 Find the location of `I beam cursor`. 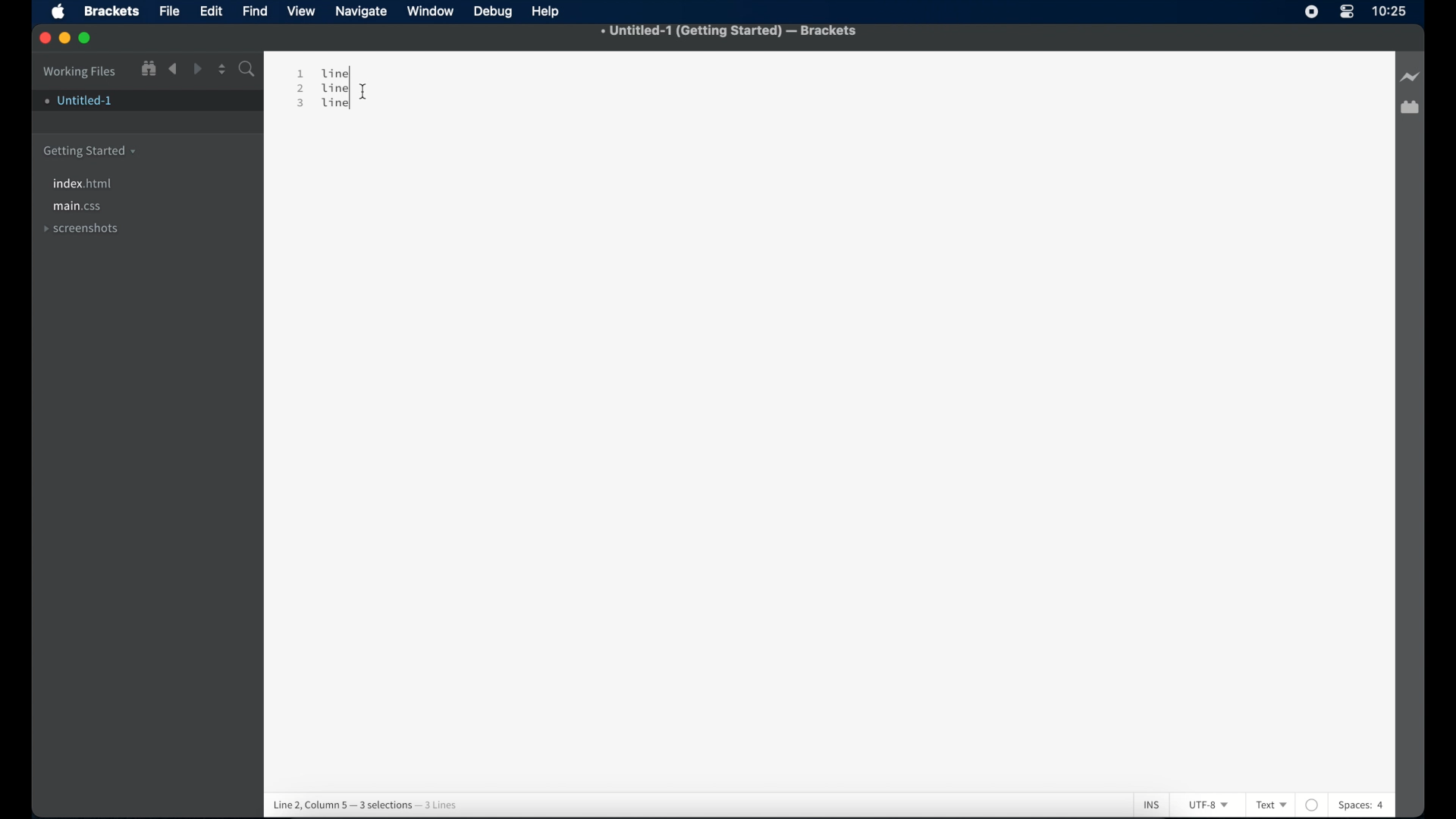

I beam cursor is located at coordinates (372, 74).